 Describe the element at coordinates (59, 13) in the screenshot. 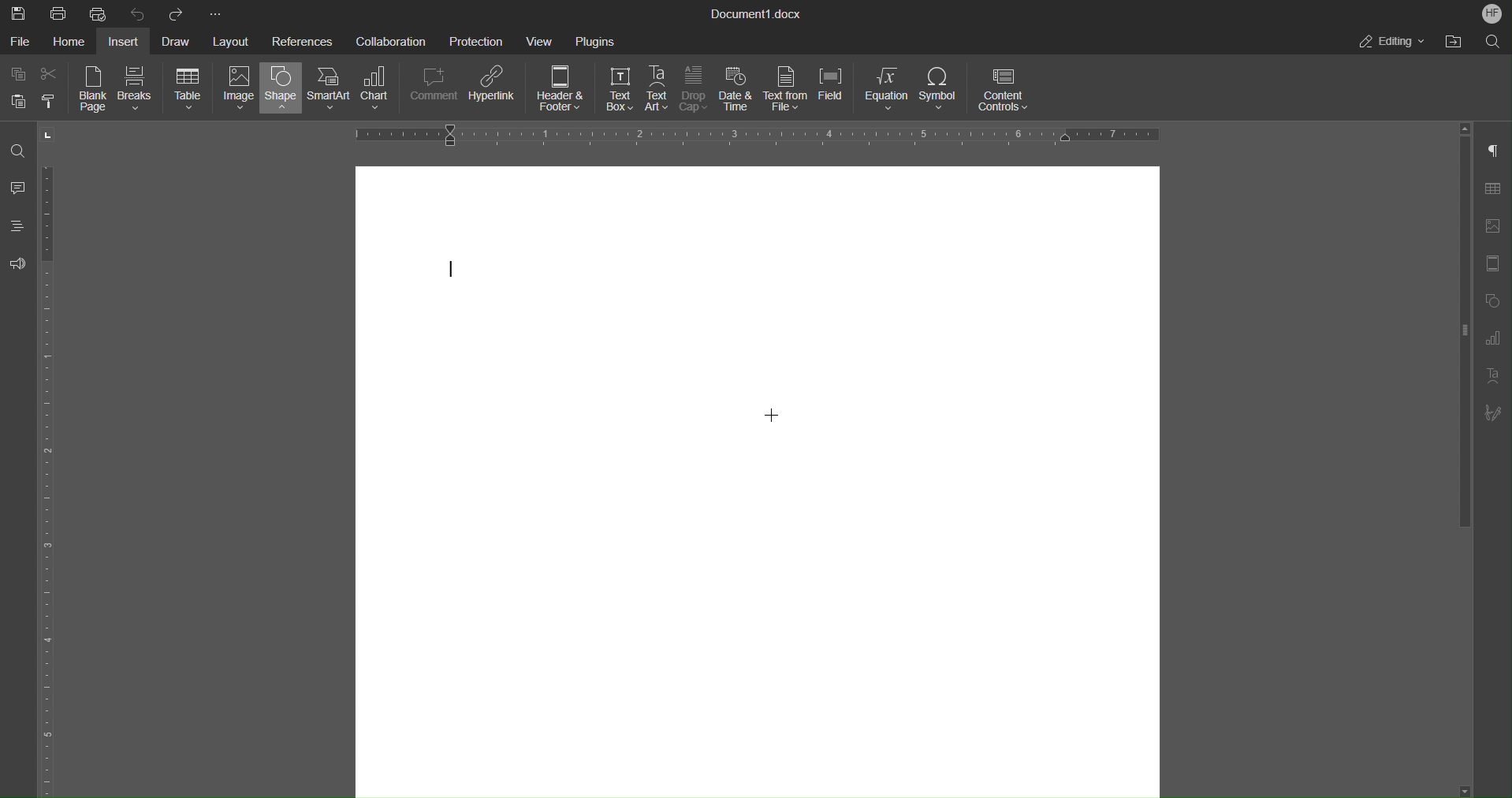

I see `Print` at that location.